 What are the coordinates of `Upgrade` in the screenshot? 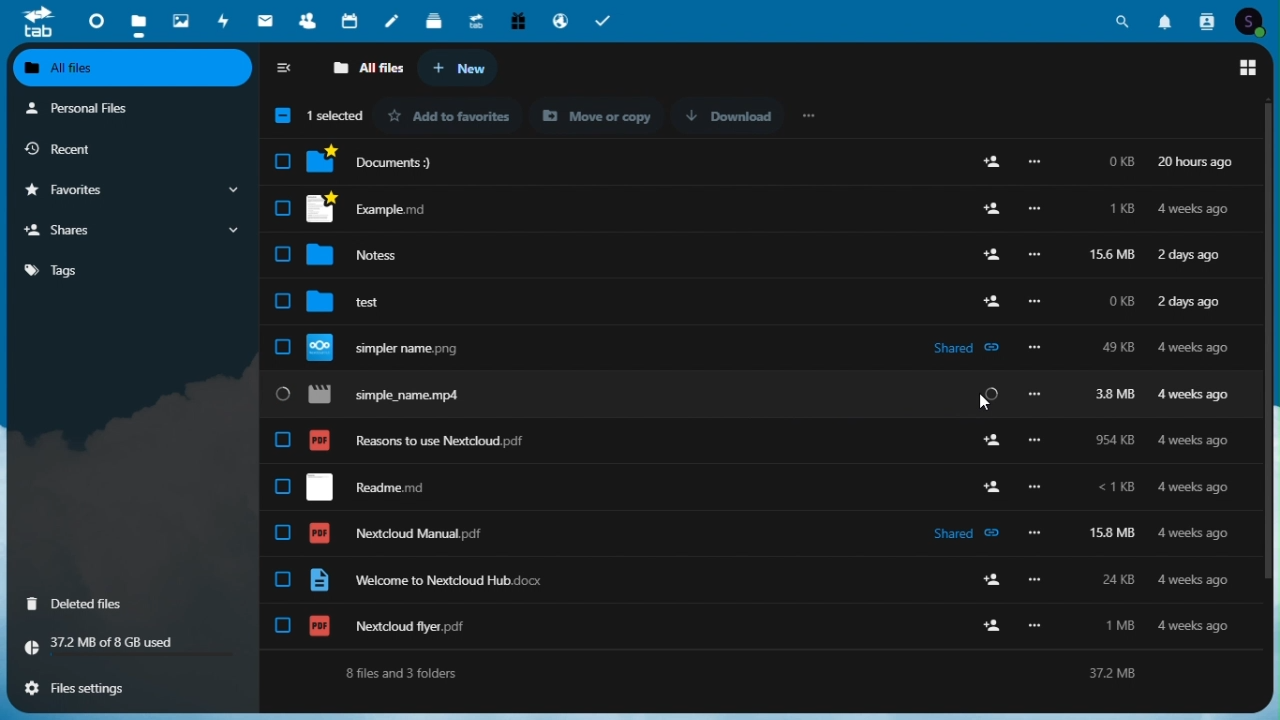 It's located at (476, 20).